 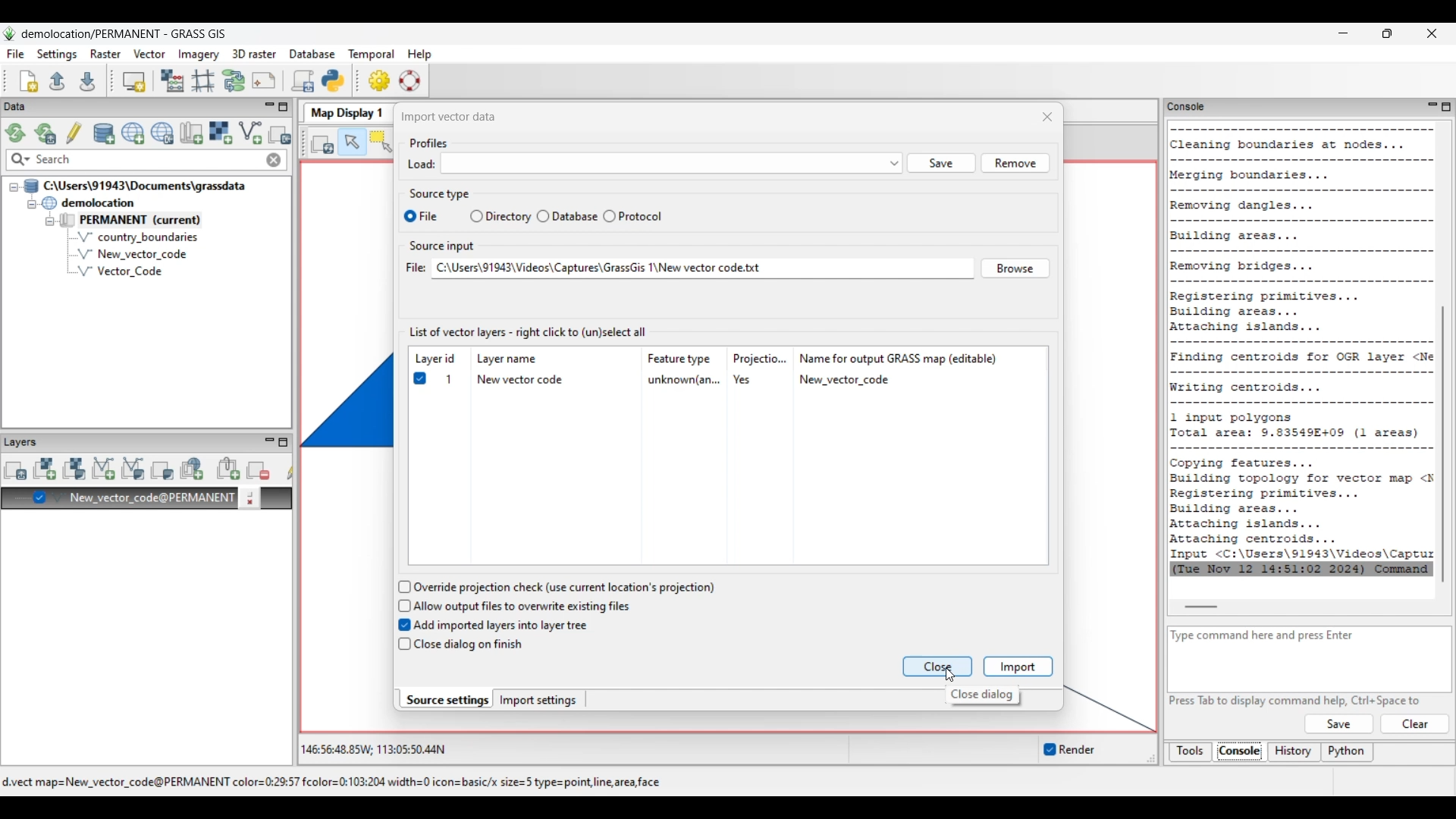 I want to click on Protocol, so click(x=643, y=215).